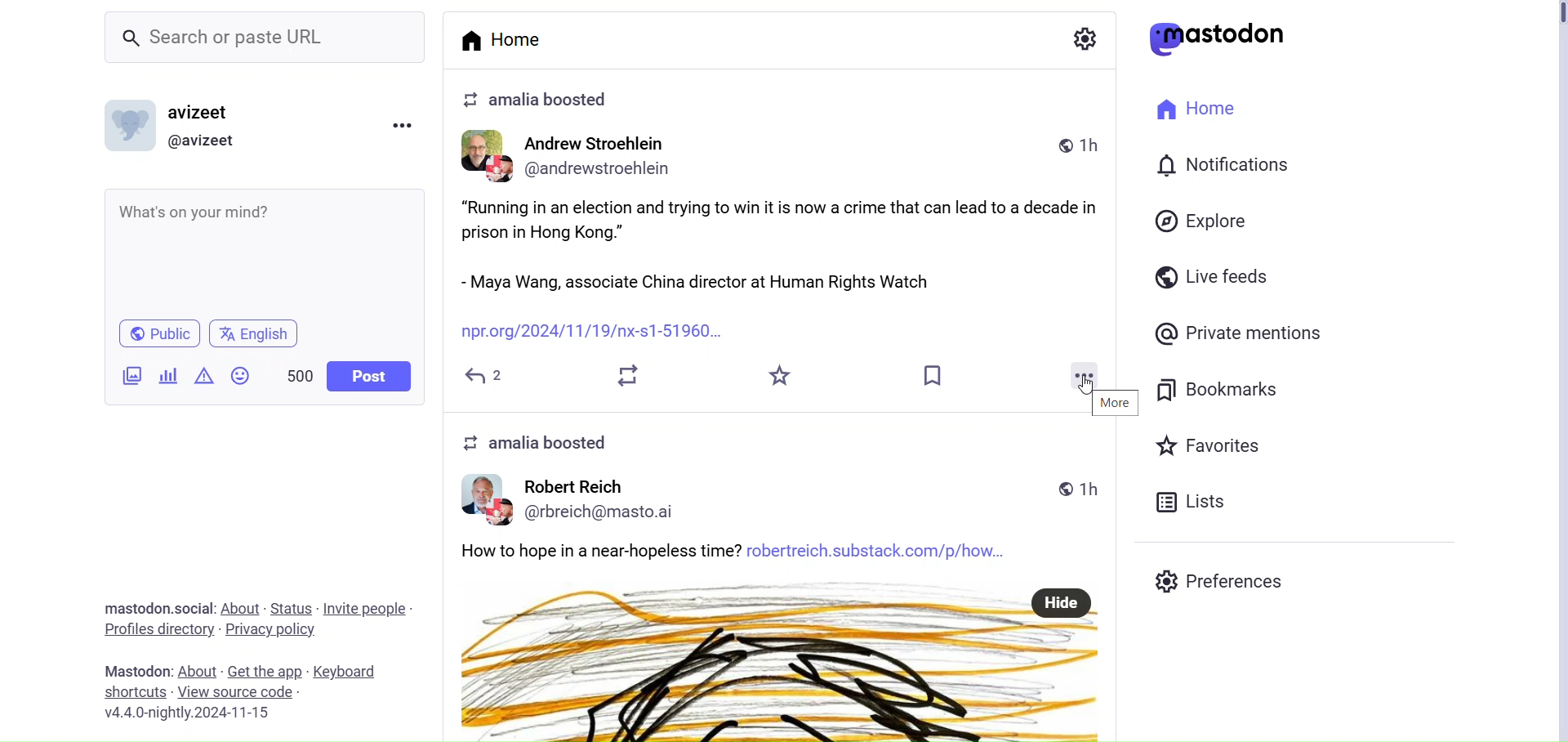  I want to click on Boost, so click(627, 375).